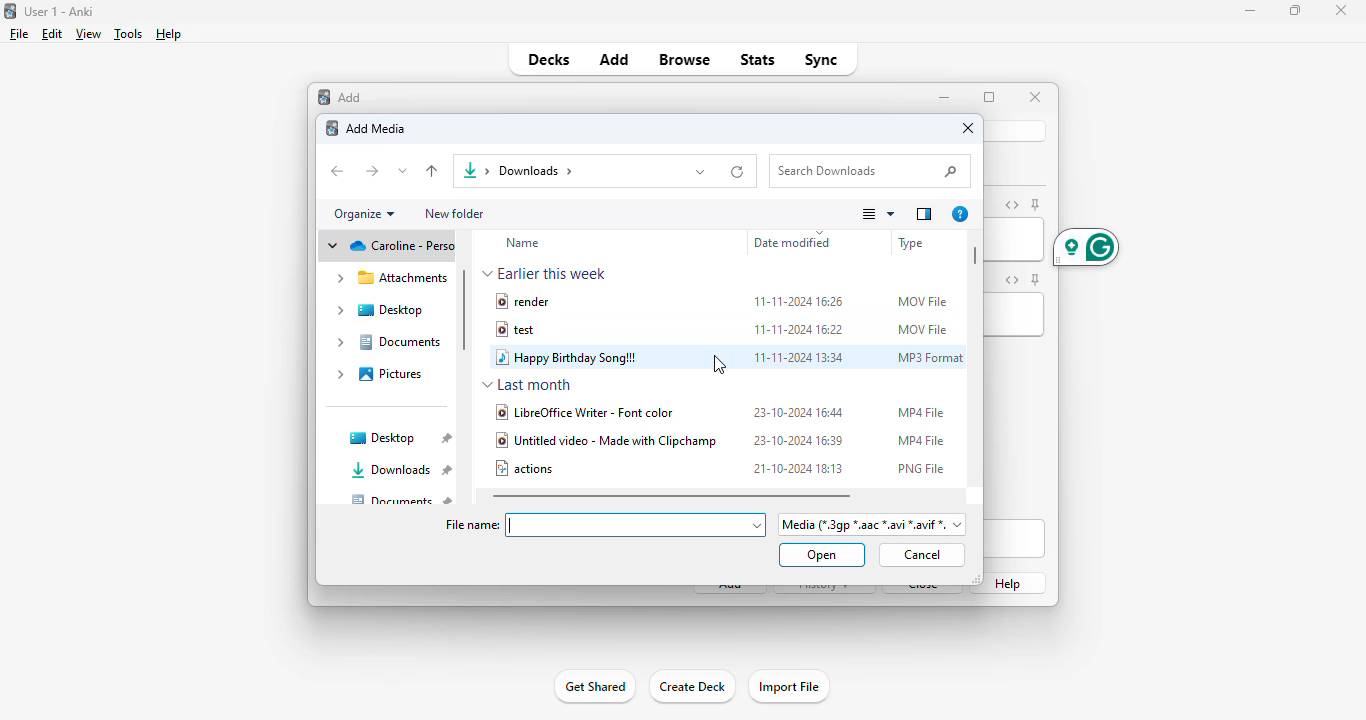  I want to click on edit, so click(53, 33).